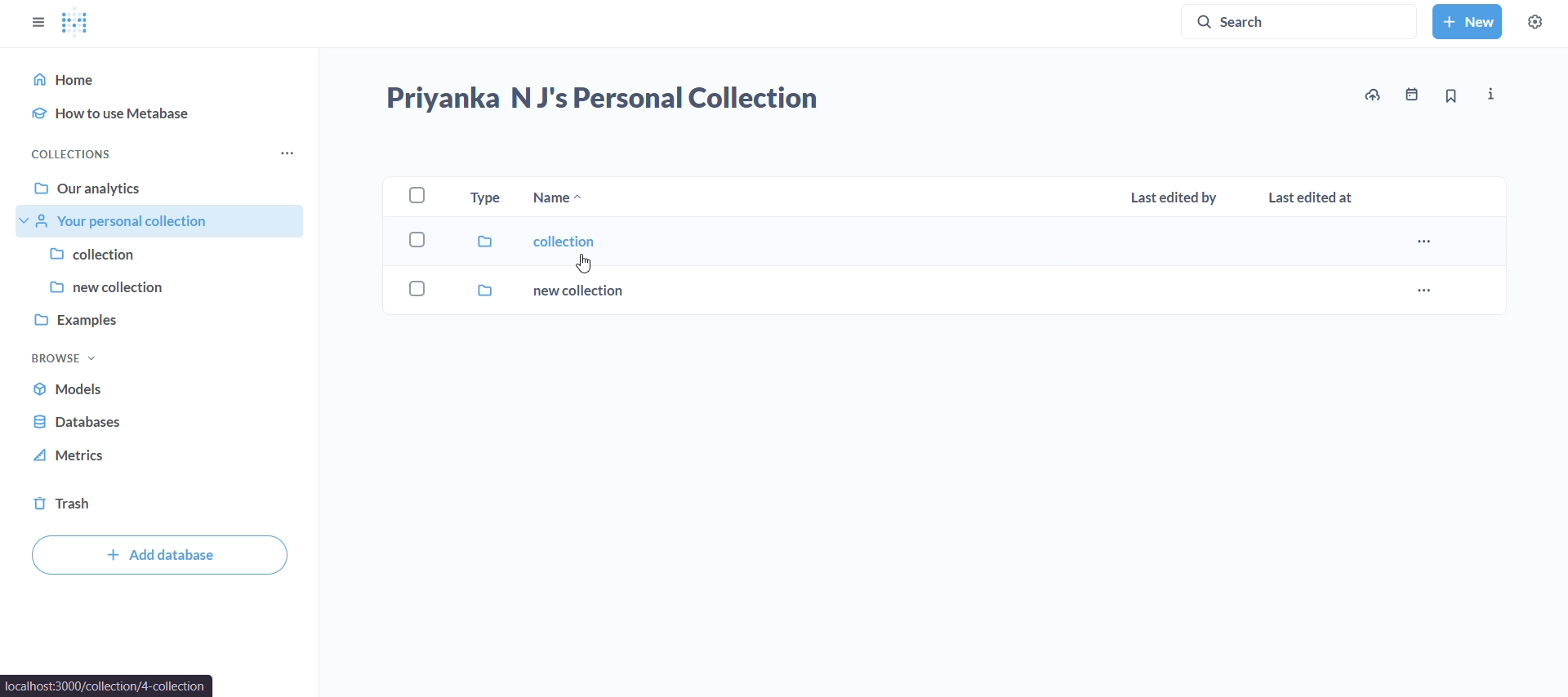  I want to click on new collection, so click(933, 293).